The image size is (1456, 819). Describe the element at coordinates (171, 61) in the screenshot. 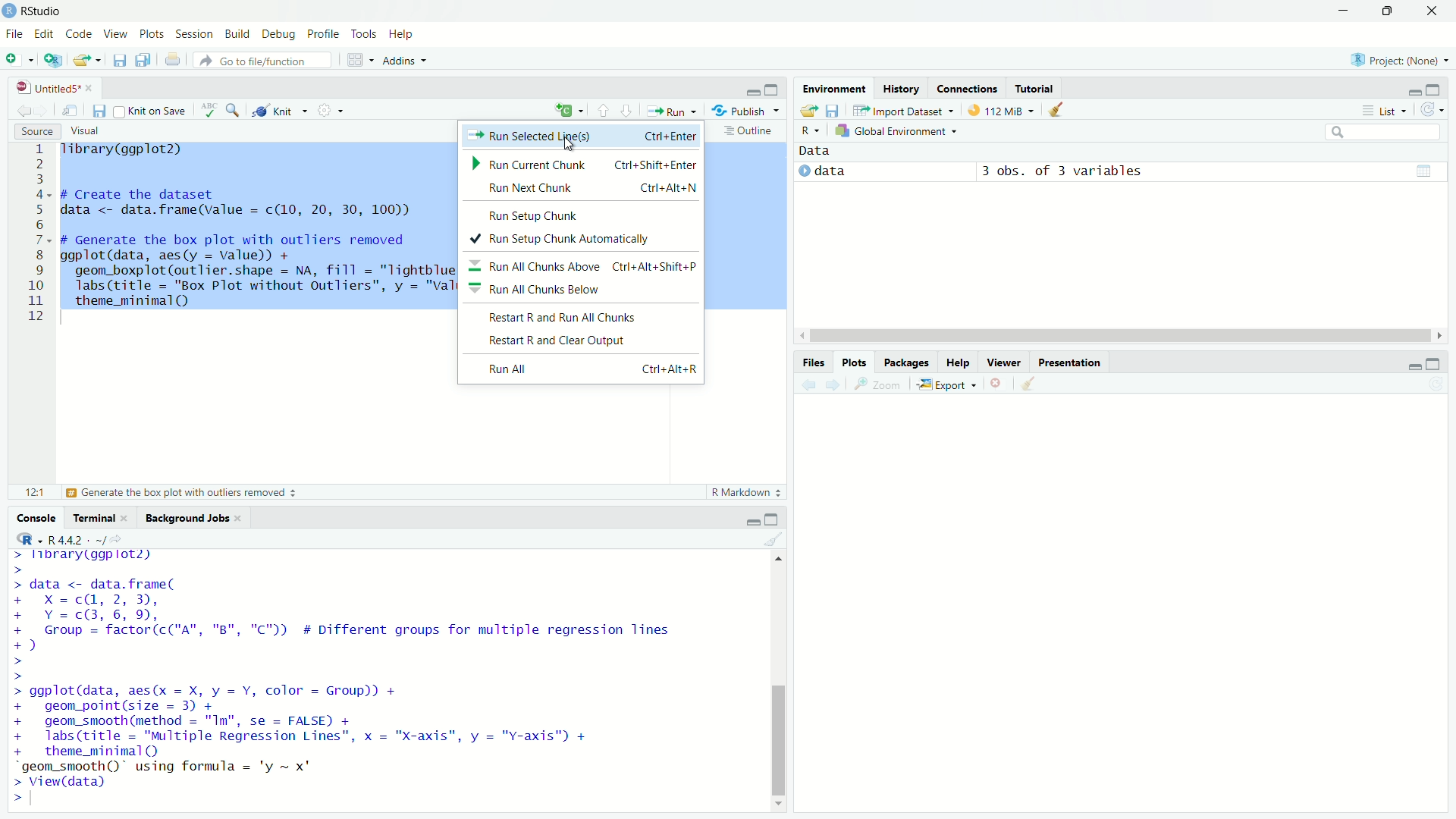

I see `print` at that location.